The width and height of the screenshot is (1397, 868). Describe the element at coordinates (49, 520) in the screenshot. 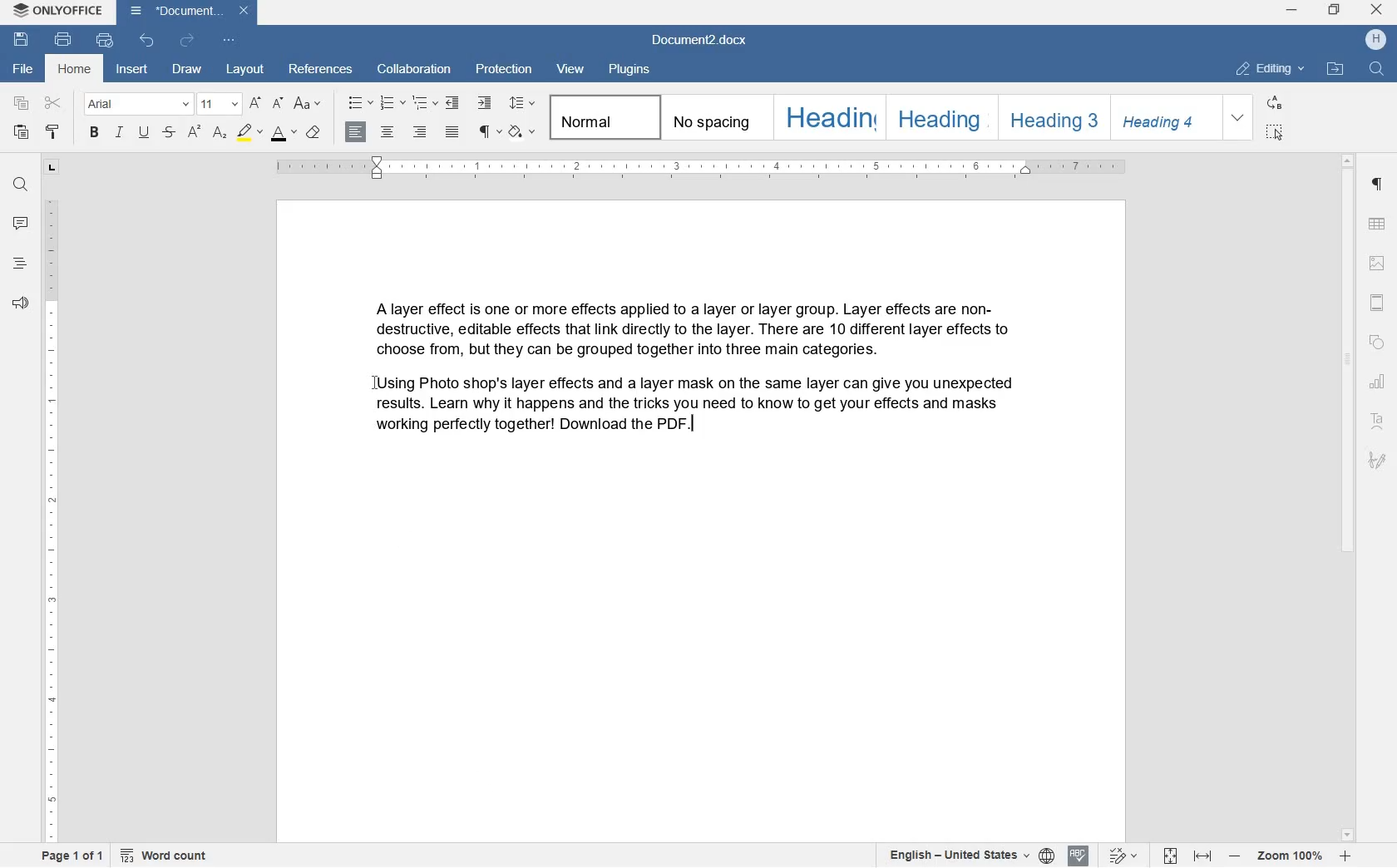

I see `RULER` at that location.